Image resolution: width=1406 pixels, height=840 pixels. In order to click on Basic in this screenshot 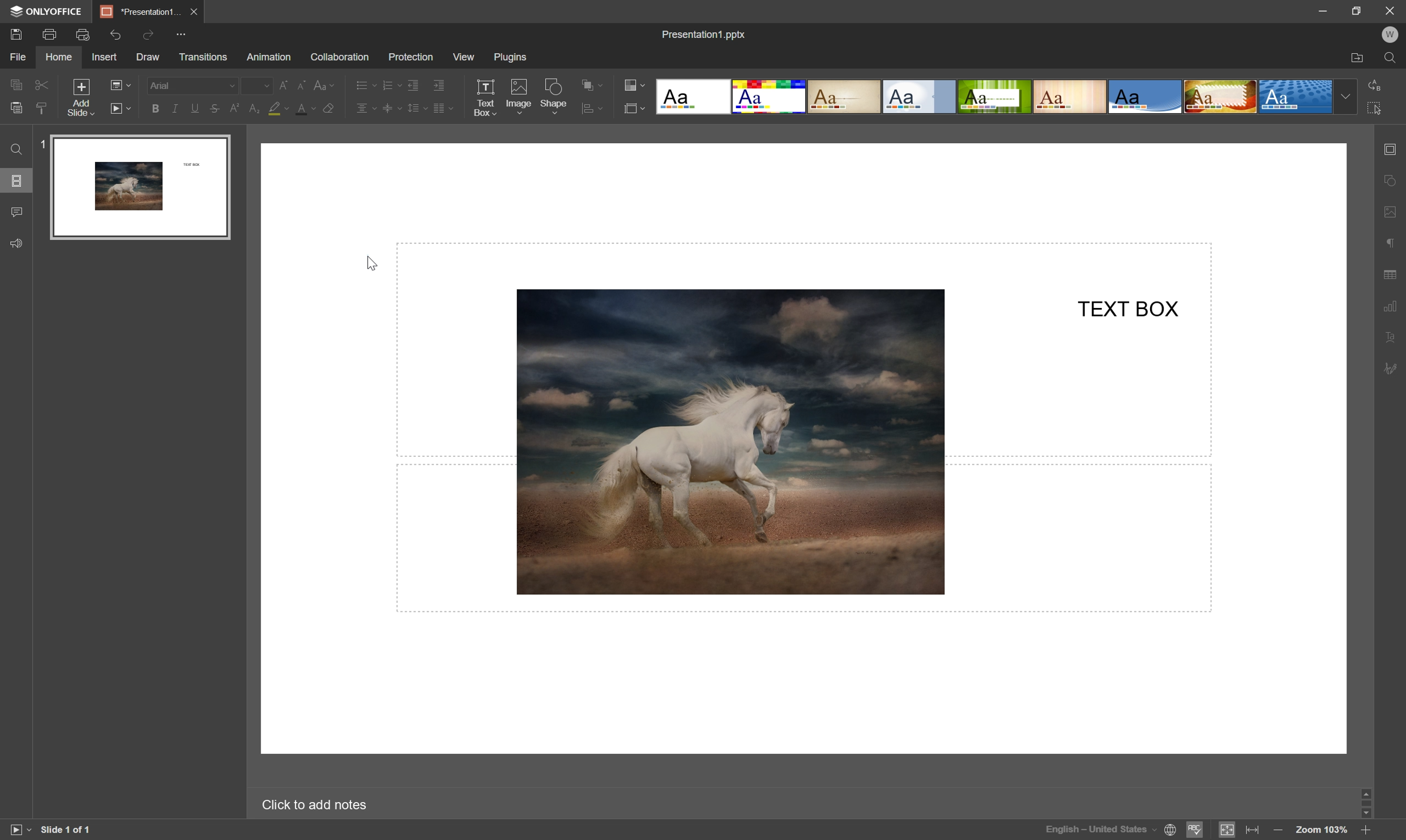, I will do `click(770, 97)`.